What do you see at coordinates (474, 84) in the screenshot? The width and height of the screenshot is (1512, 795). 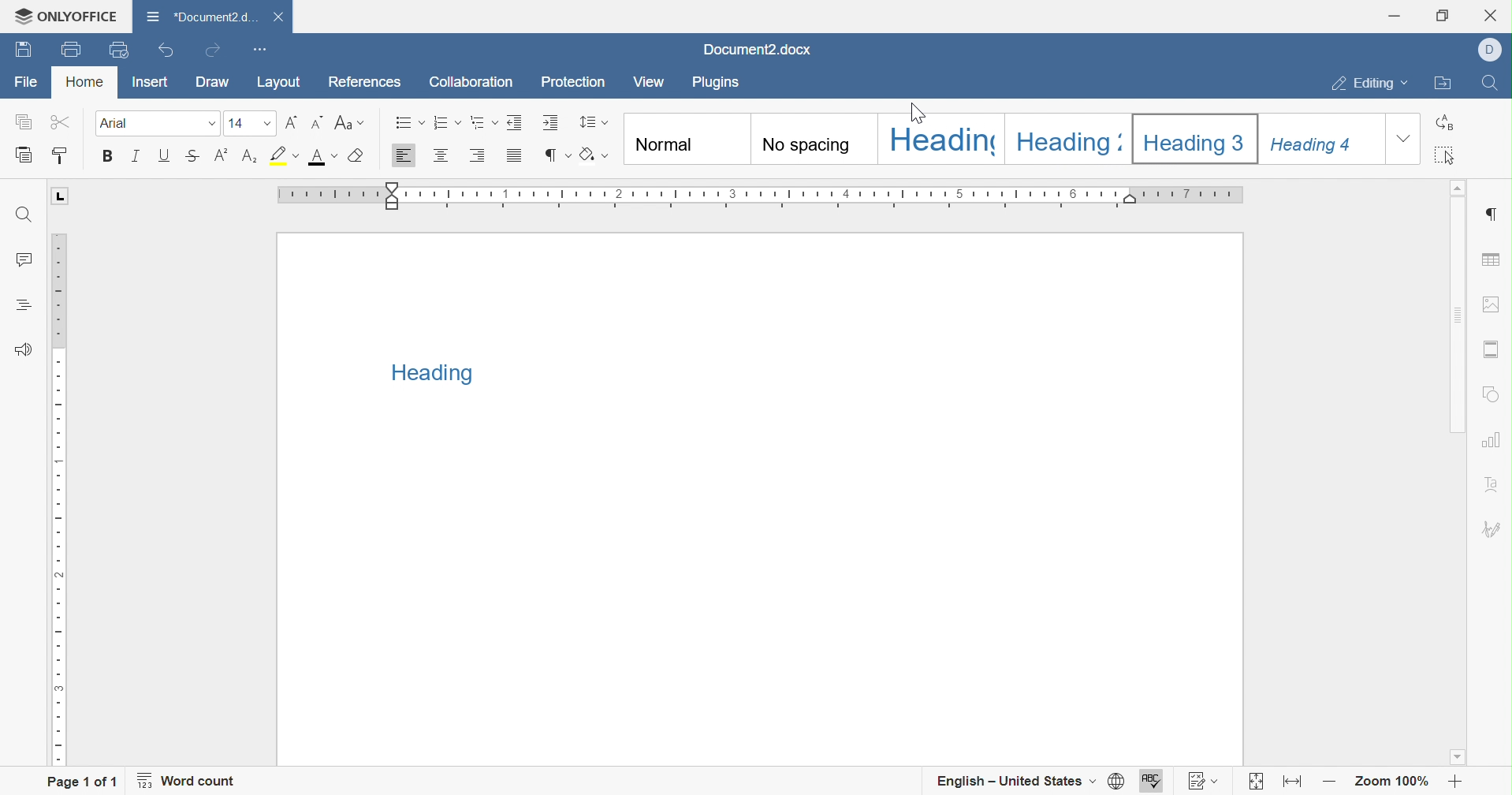 I see `Collaboration` at bounding box center [474, 84].